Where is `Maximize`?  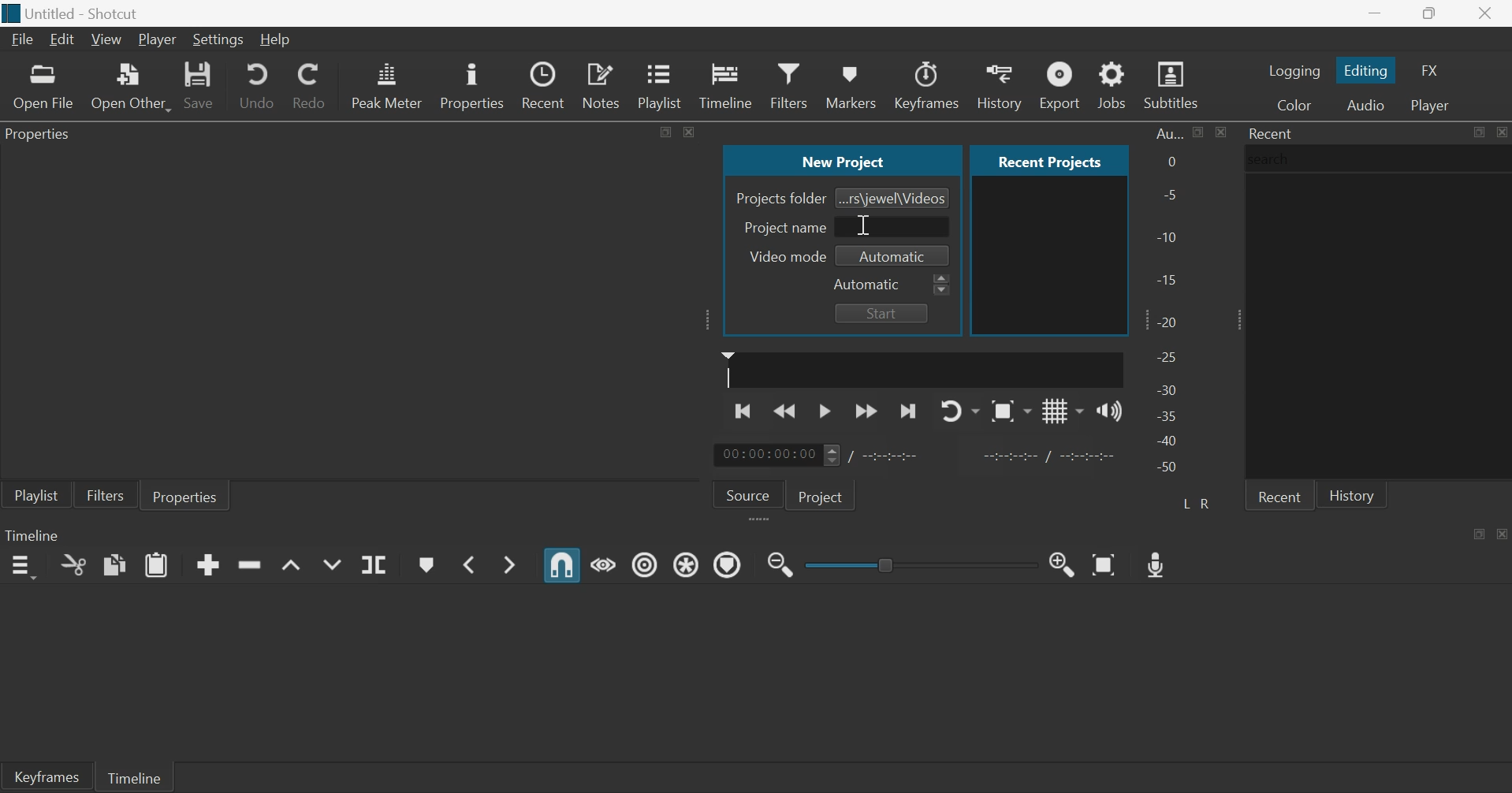
Maximize is located at coordinates (1480, 533).